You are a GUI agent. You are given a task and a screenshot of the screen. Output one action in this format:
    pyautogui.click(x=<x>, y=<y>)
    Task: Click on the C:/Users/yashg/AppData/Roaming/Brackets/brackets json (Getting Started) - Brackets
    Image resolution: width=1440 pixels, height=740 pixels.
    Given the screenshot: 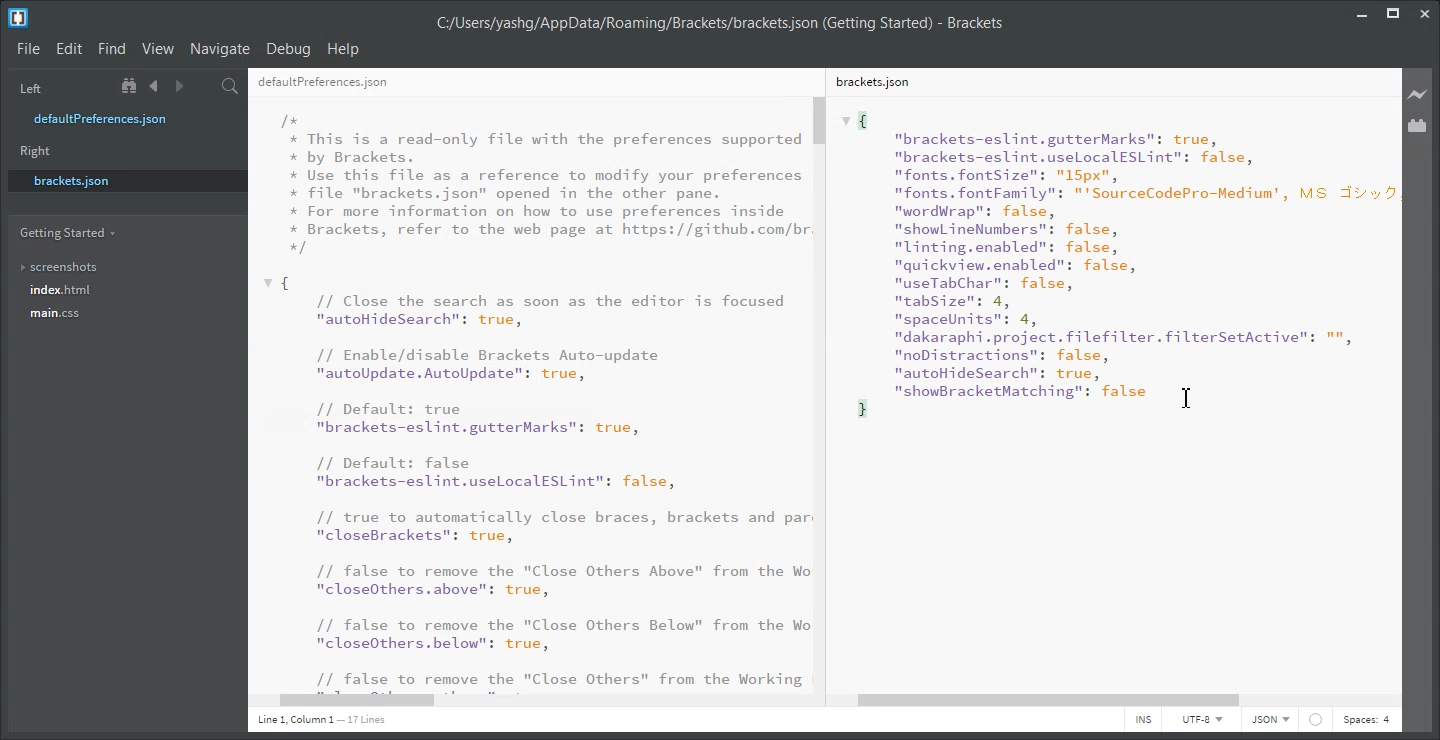 What is the action you would take?
    pyautogui.click(x=719, y=21)
    